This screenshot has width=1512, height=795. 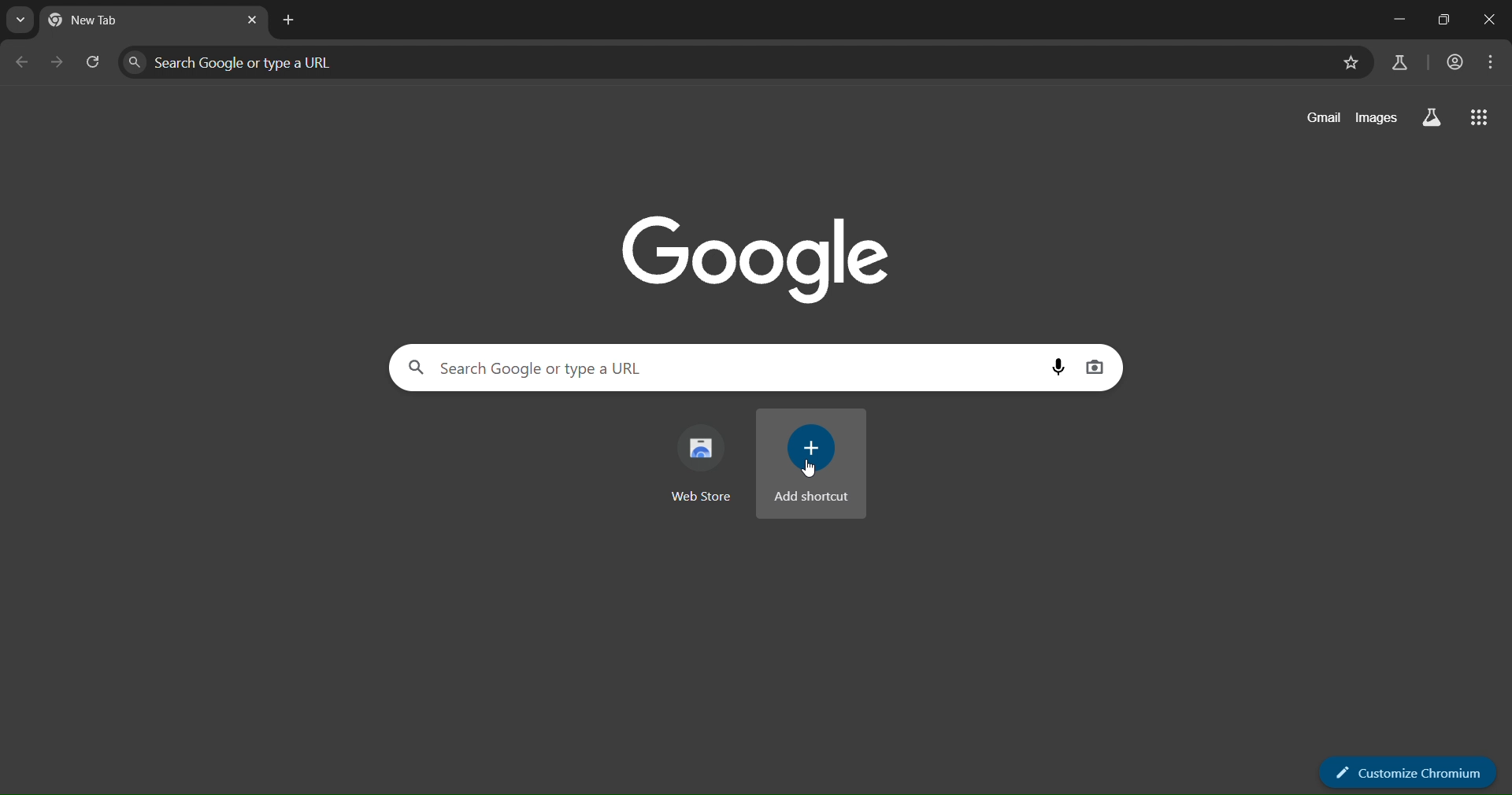 What do you see at coordinates (1395, 22) in the screenshot?
I see `minimize` at bounding box center [1395, 22].